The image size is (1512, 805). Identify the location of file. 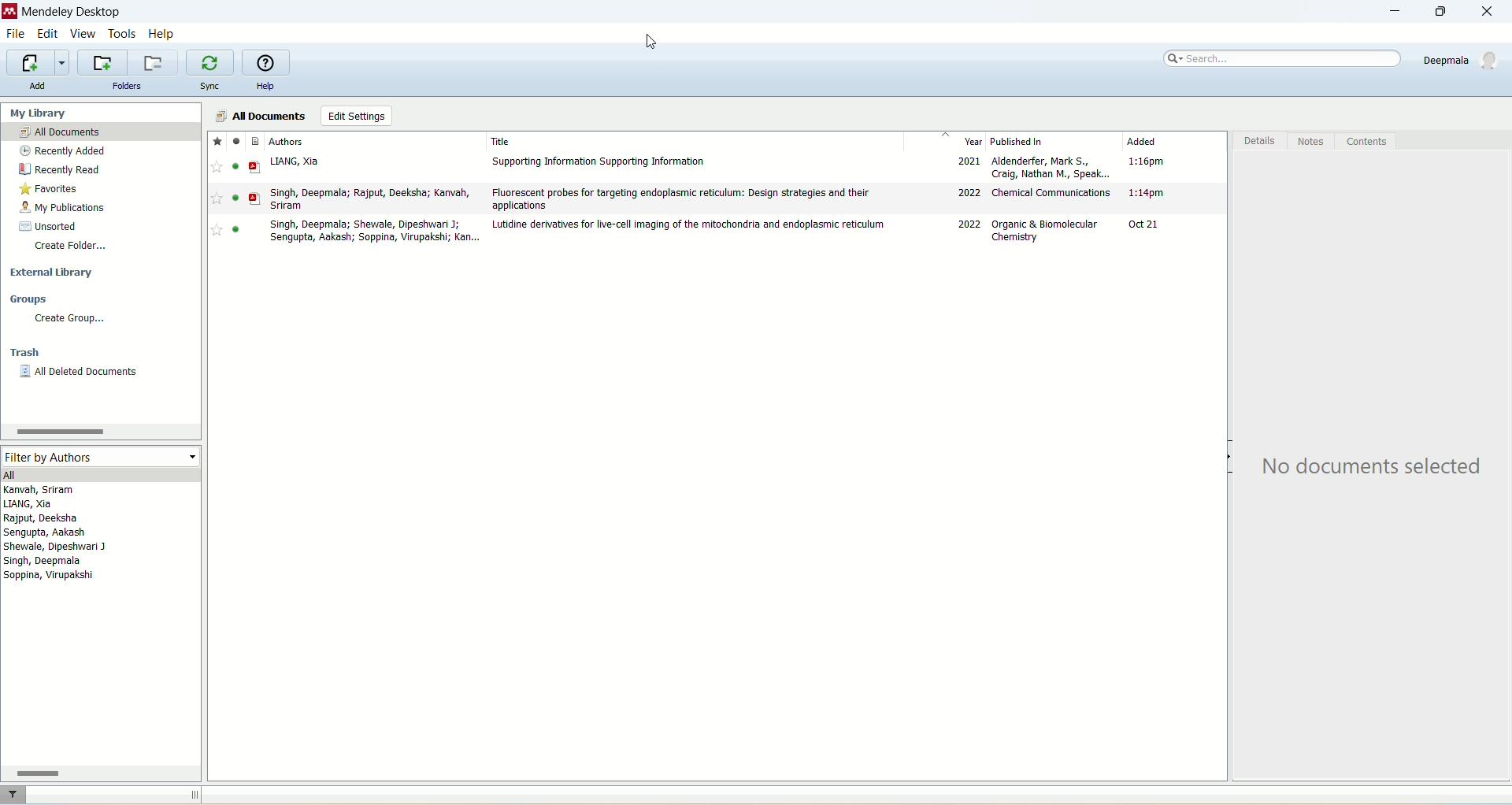
(17, 34).